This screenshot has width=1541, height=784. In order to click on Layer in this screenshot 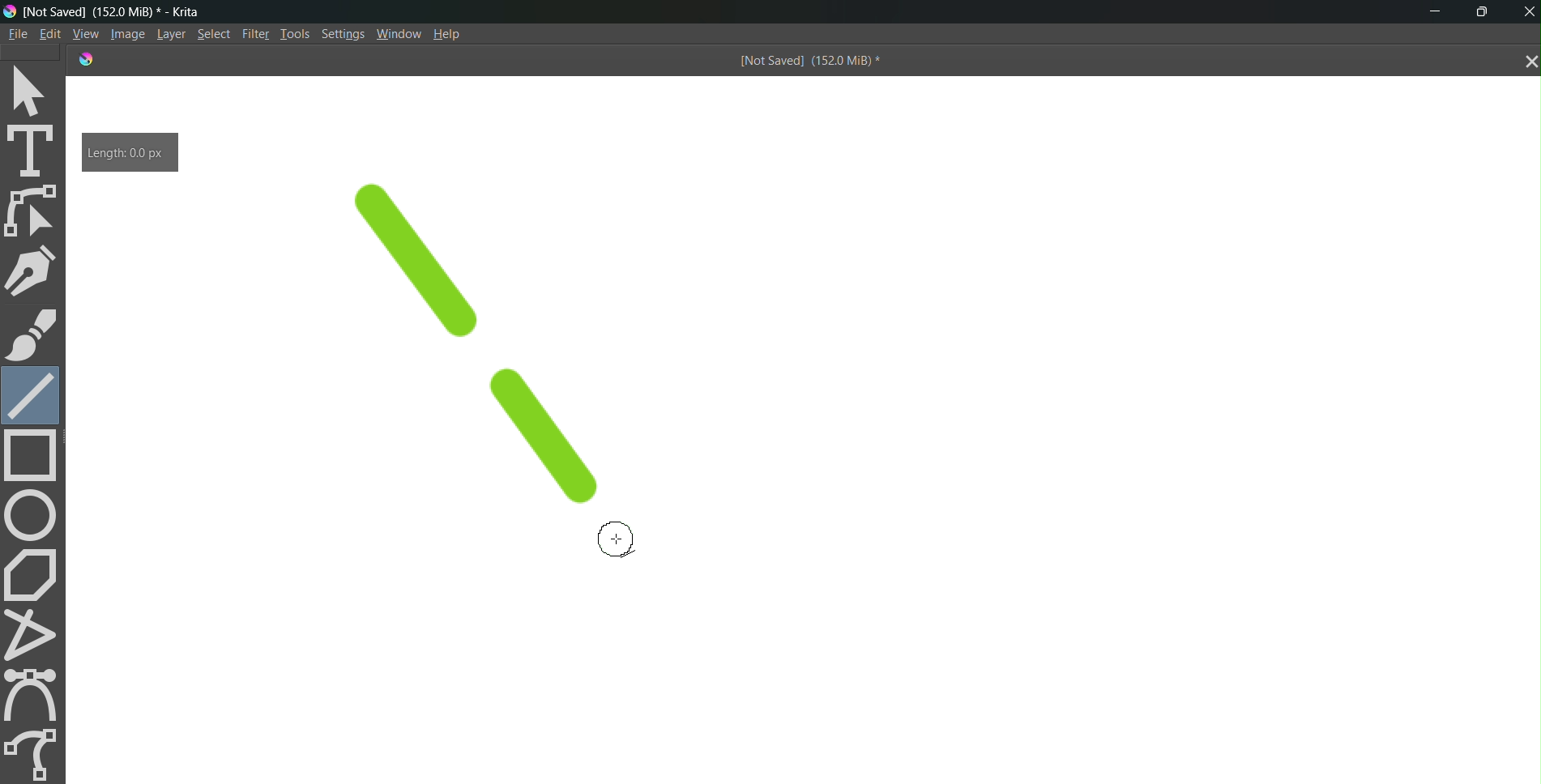, I will do `click(168, 35)`.